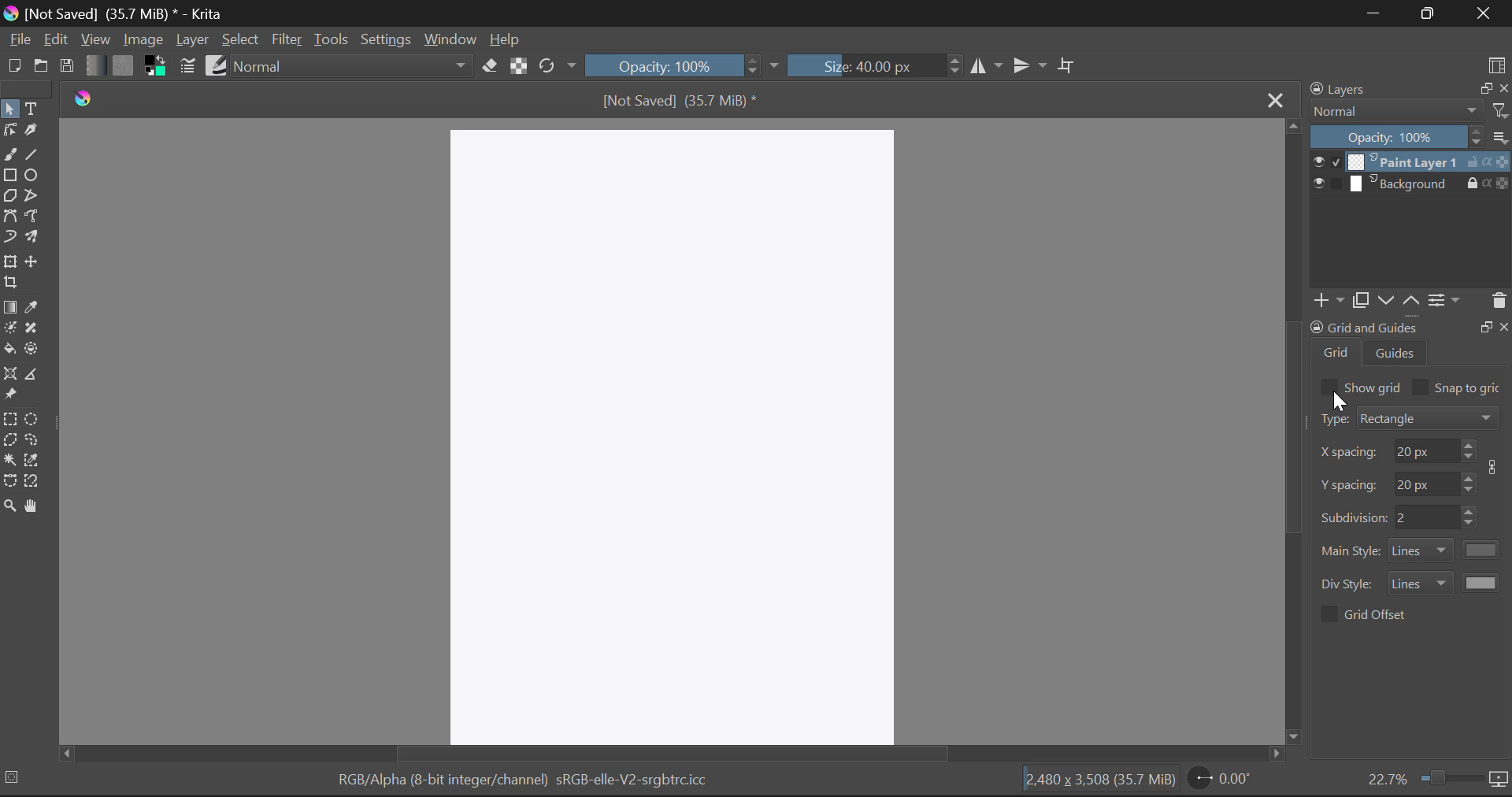  I want to click on Krita Logo, so click(84, 98).